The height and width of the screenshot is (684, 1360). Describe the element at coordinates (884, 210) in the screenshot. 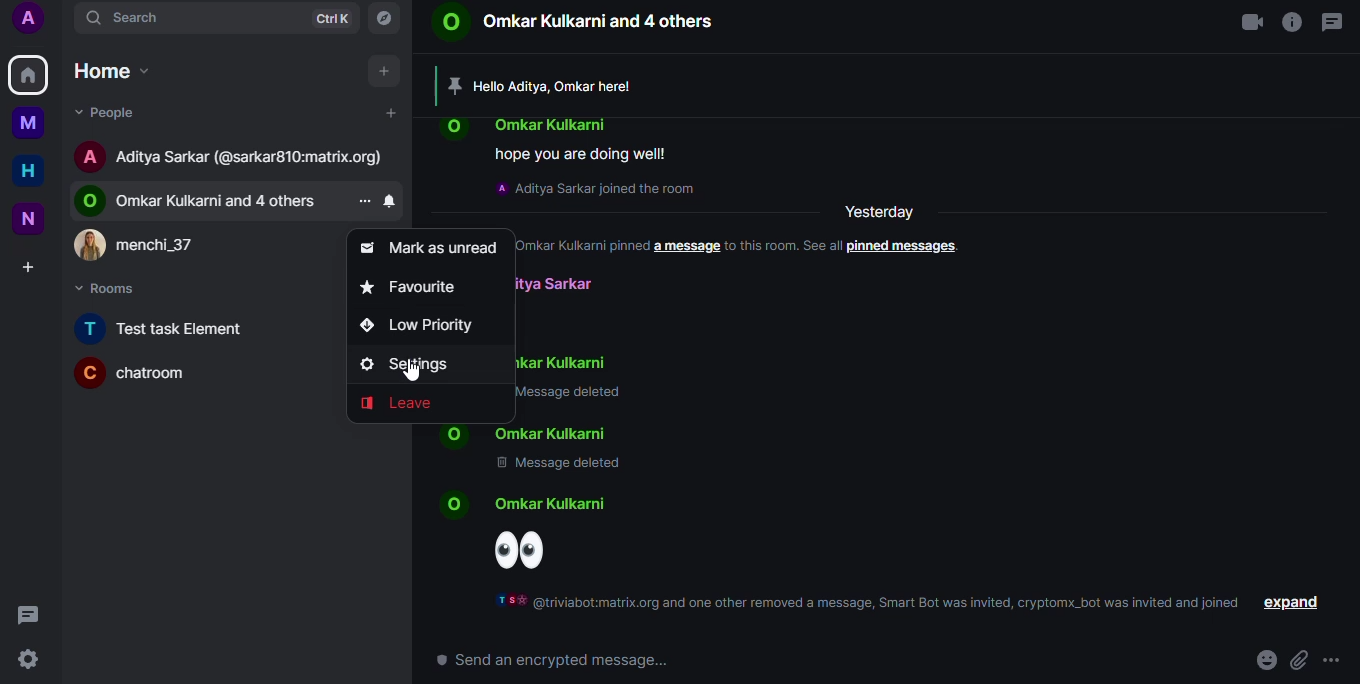

I see `Yesterday` at that location.